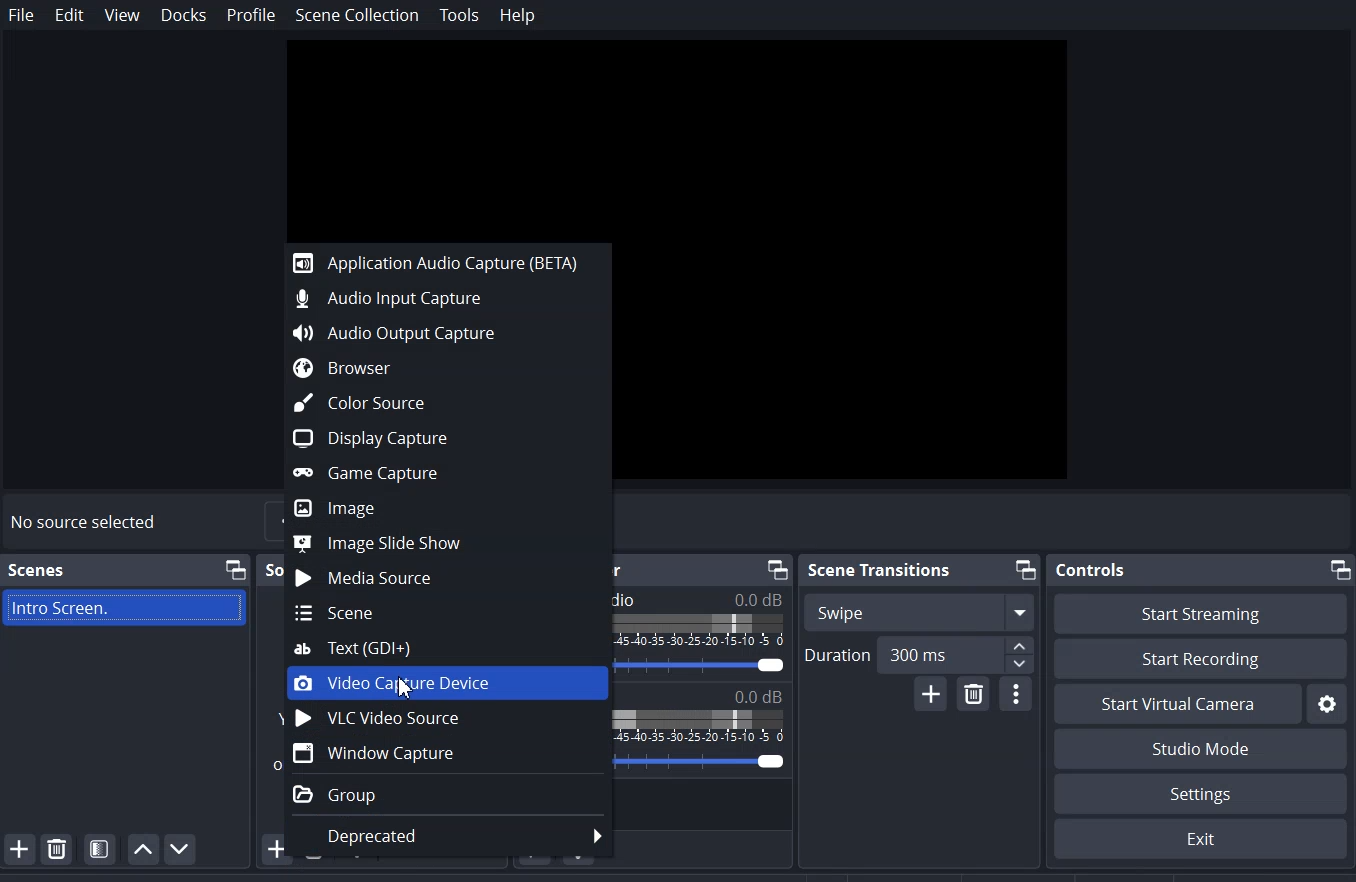 This screenshot has height=882, width=1356. Describe the element at coordinates (437, 577) in the screenshot. I see `Media Source` at that location.